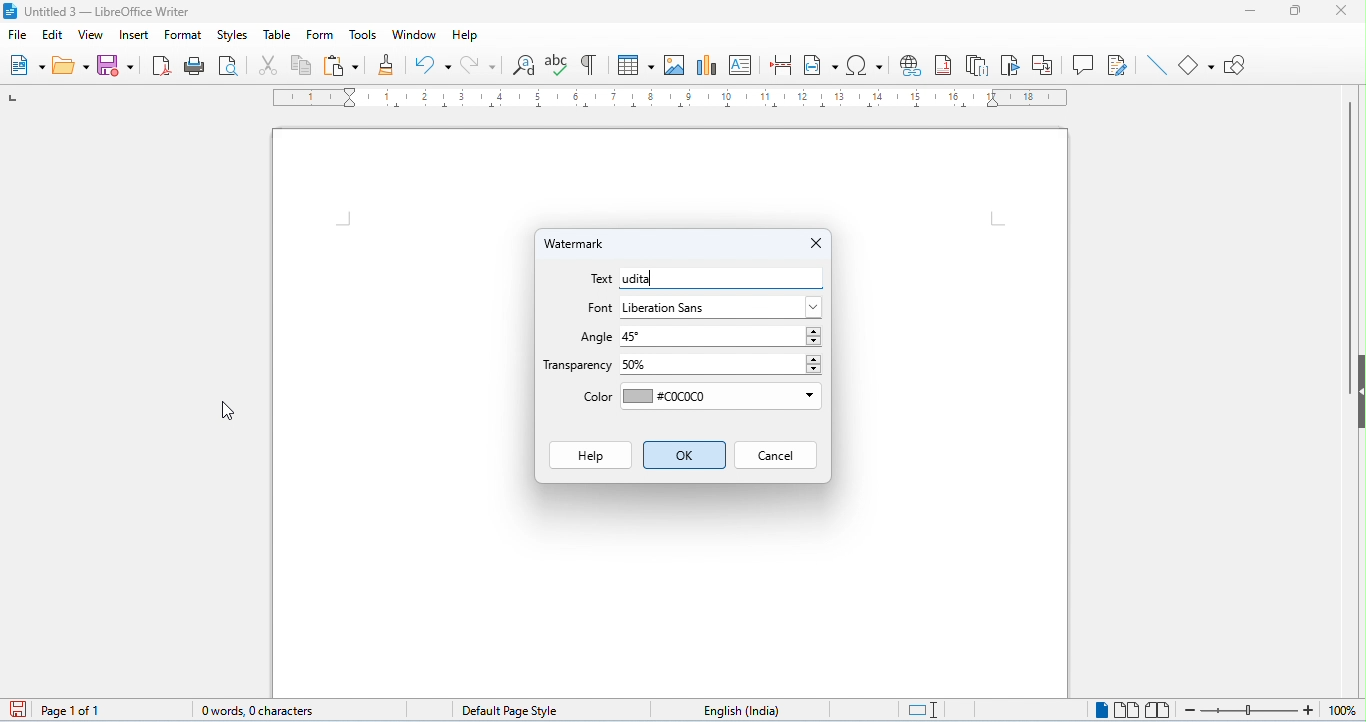 The width and height of the screenshot is (1366, 722). I want to click on language, so click(734, 708).